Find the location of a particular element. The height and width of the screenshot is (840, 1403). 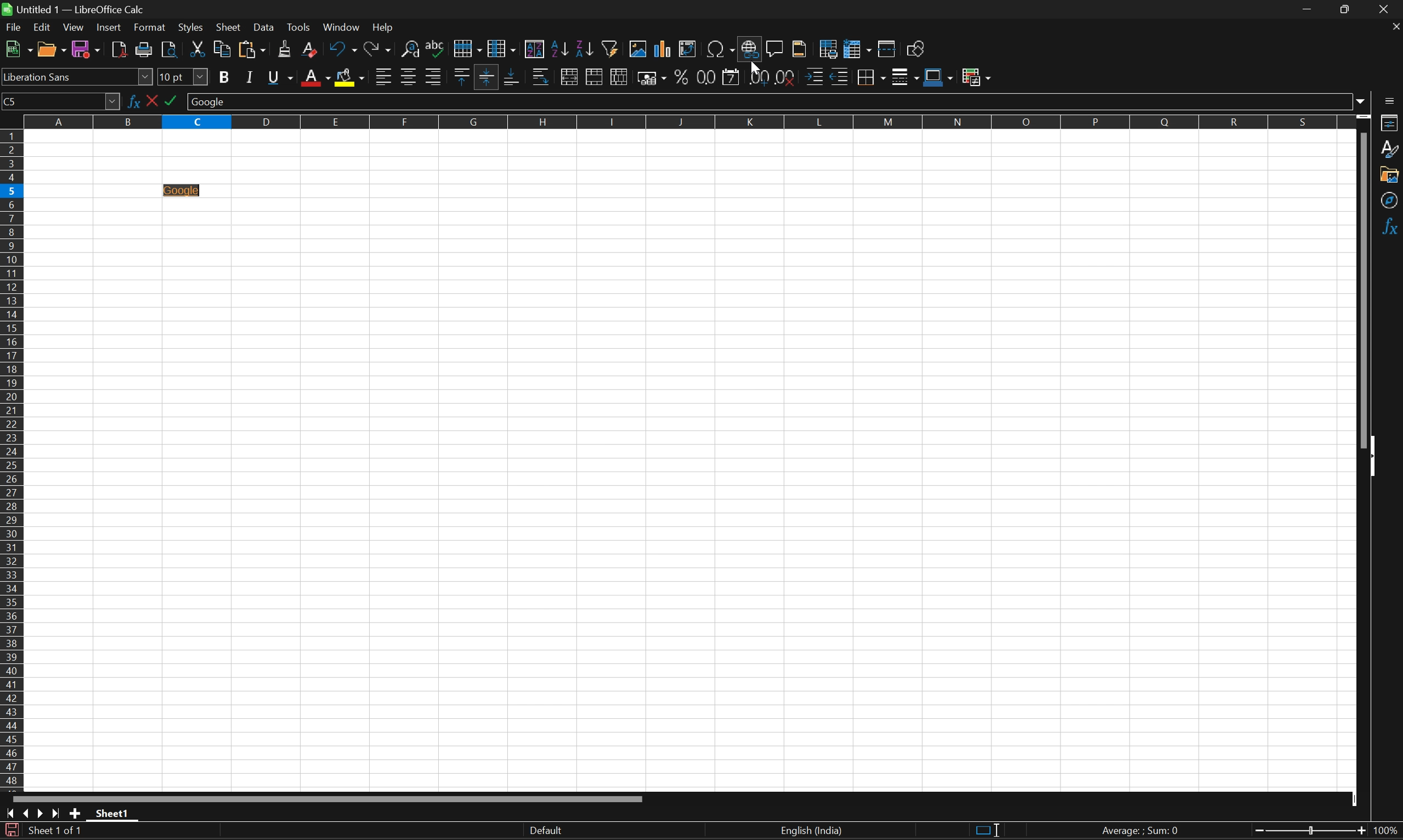

Bold is located at coordinates (226, 77).